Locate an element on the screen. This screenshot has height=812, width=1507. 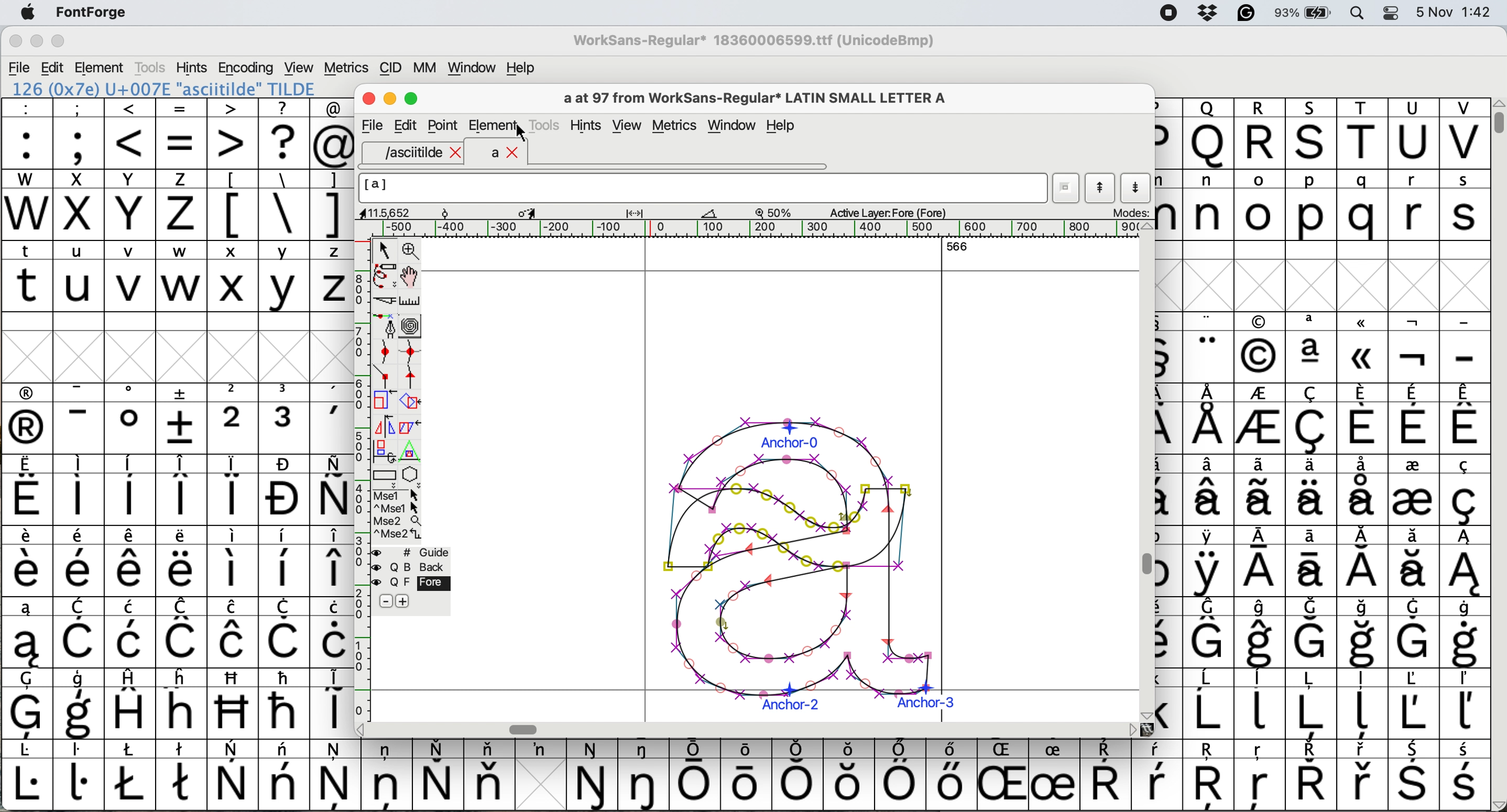
p is located at coordinates (1312, 207).